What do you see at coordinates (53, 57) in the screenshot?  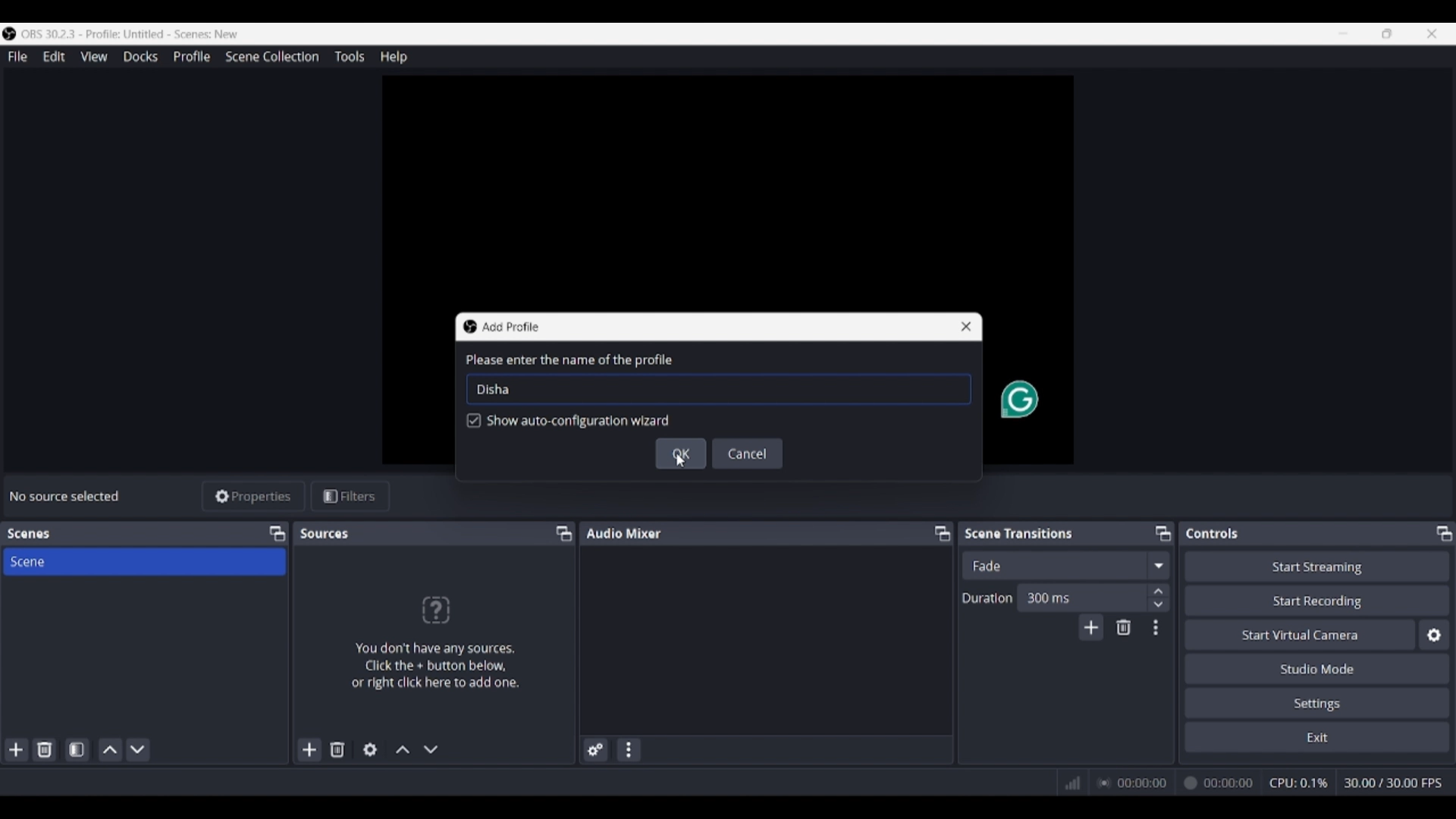 I see `Edit menu` at bounding box center [53, 57].